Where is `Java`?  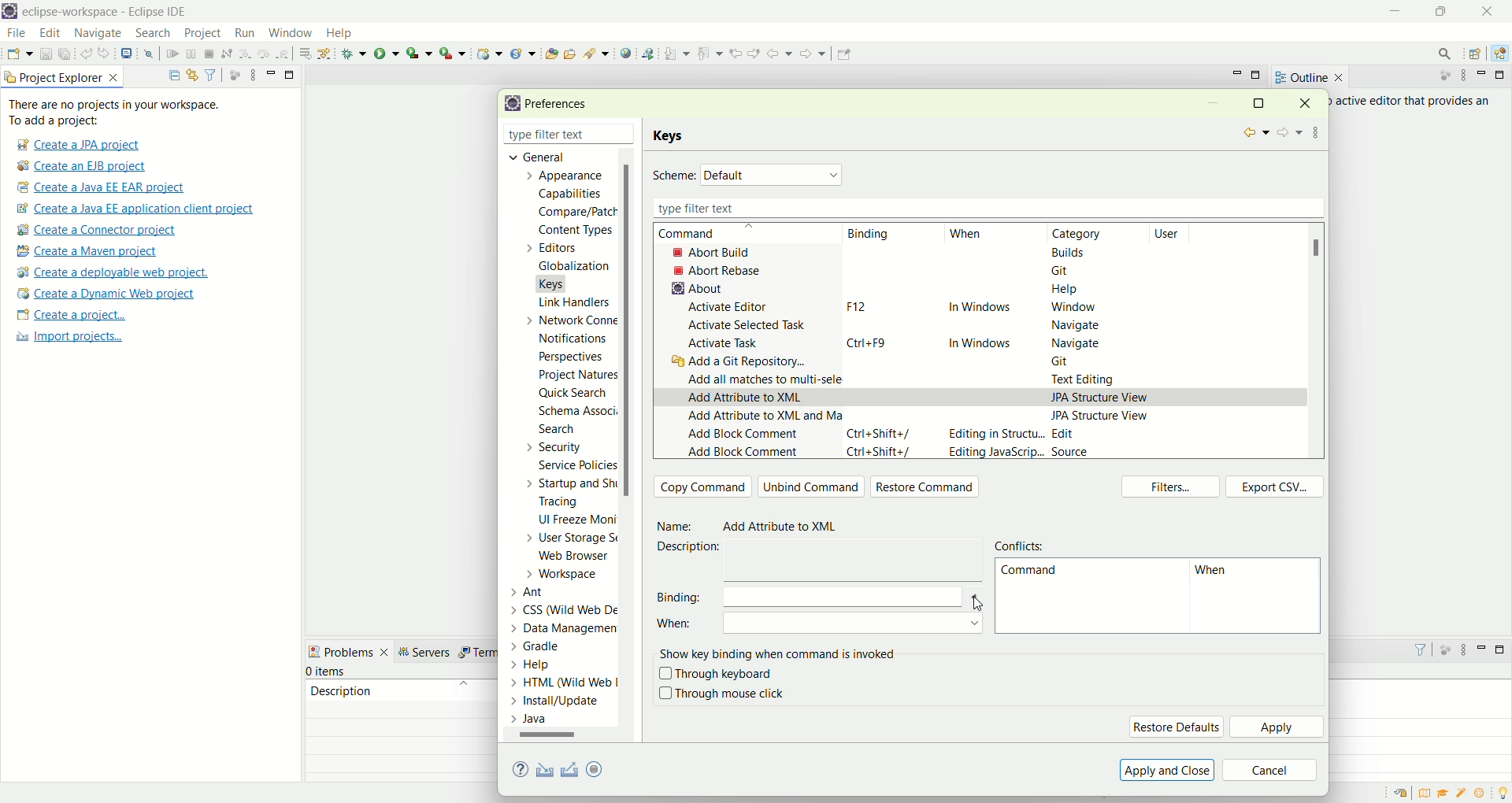 Java is located at coordinates (533, 719).